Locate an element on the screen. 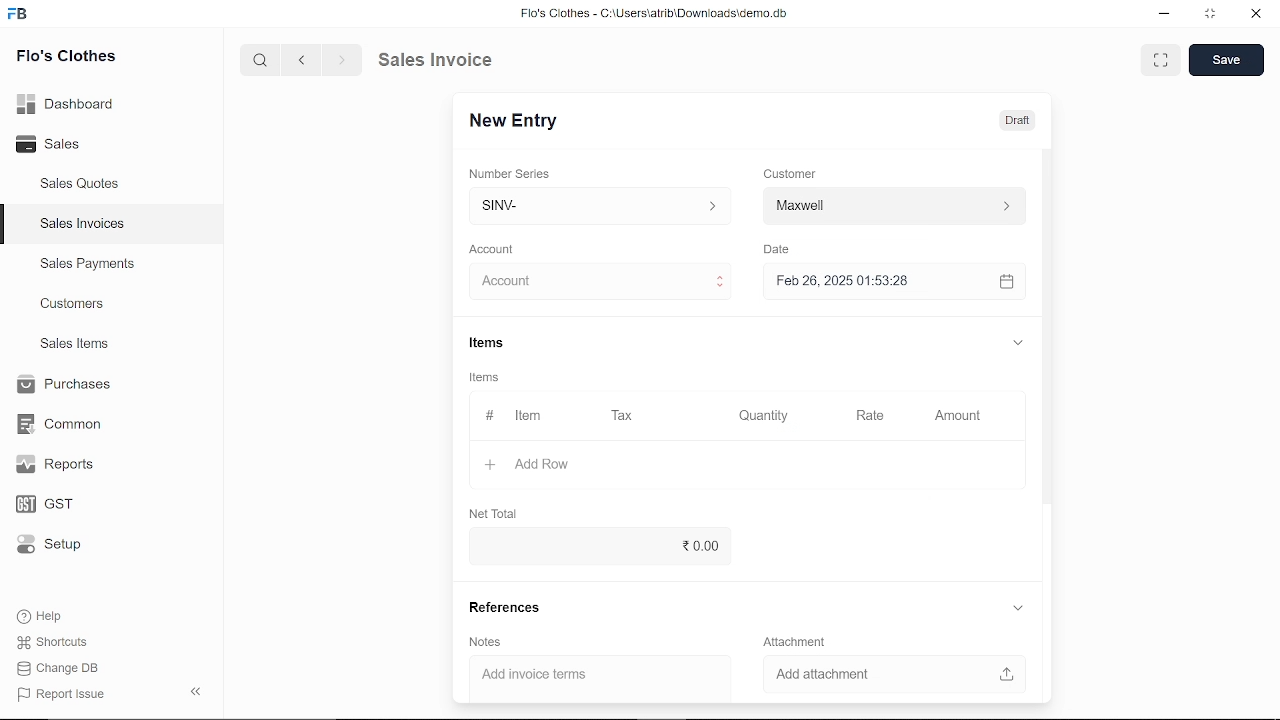 The image size is (1280, 720). Purchases is located at coordinates (62, 385).